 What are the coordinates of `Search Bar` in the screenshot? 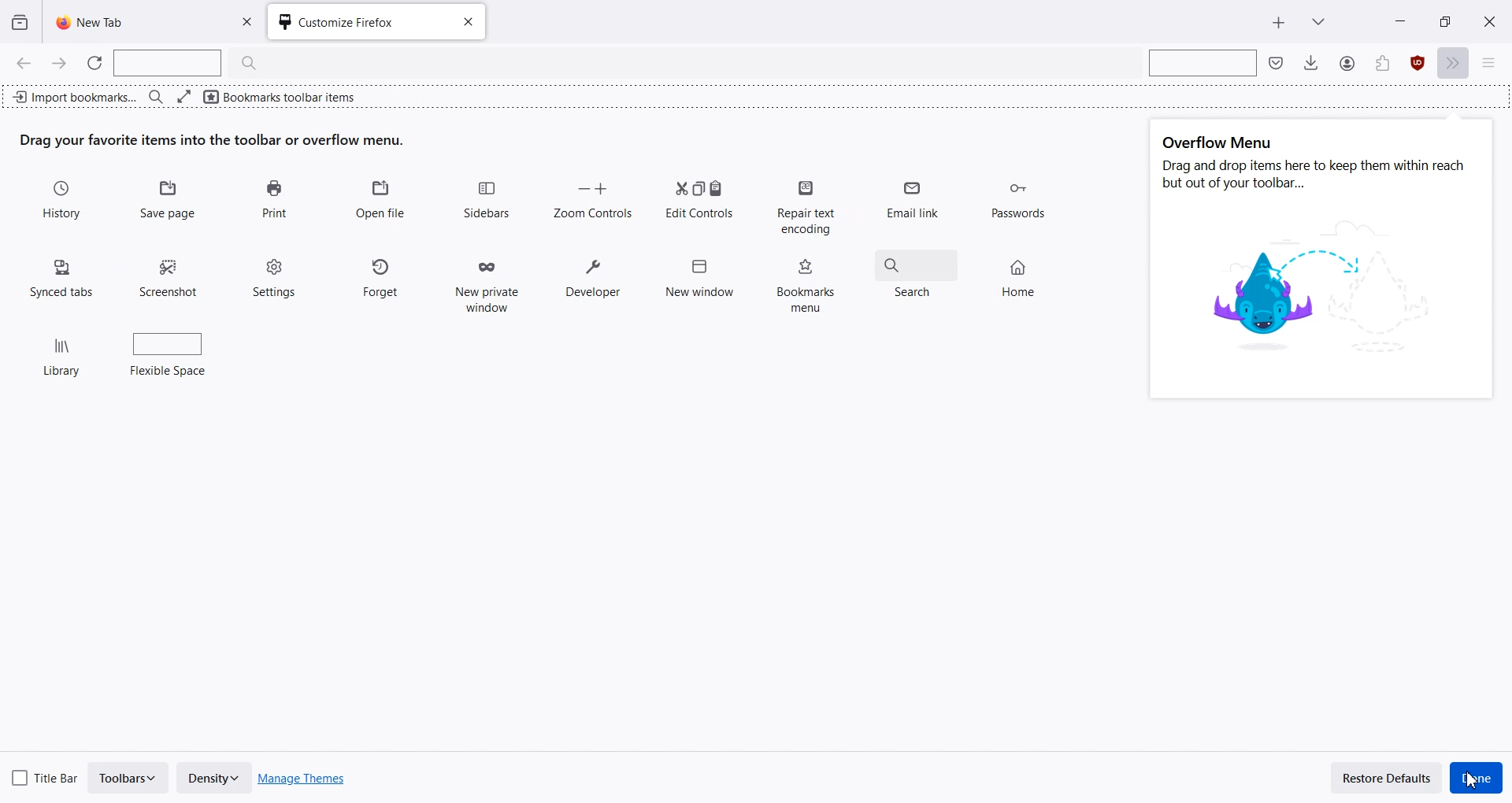 It's located at (195, 63).